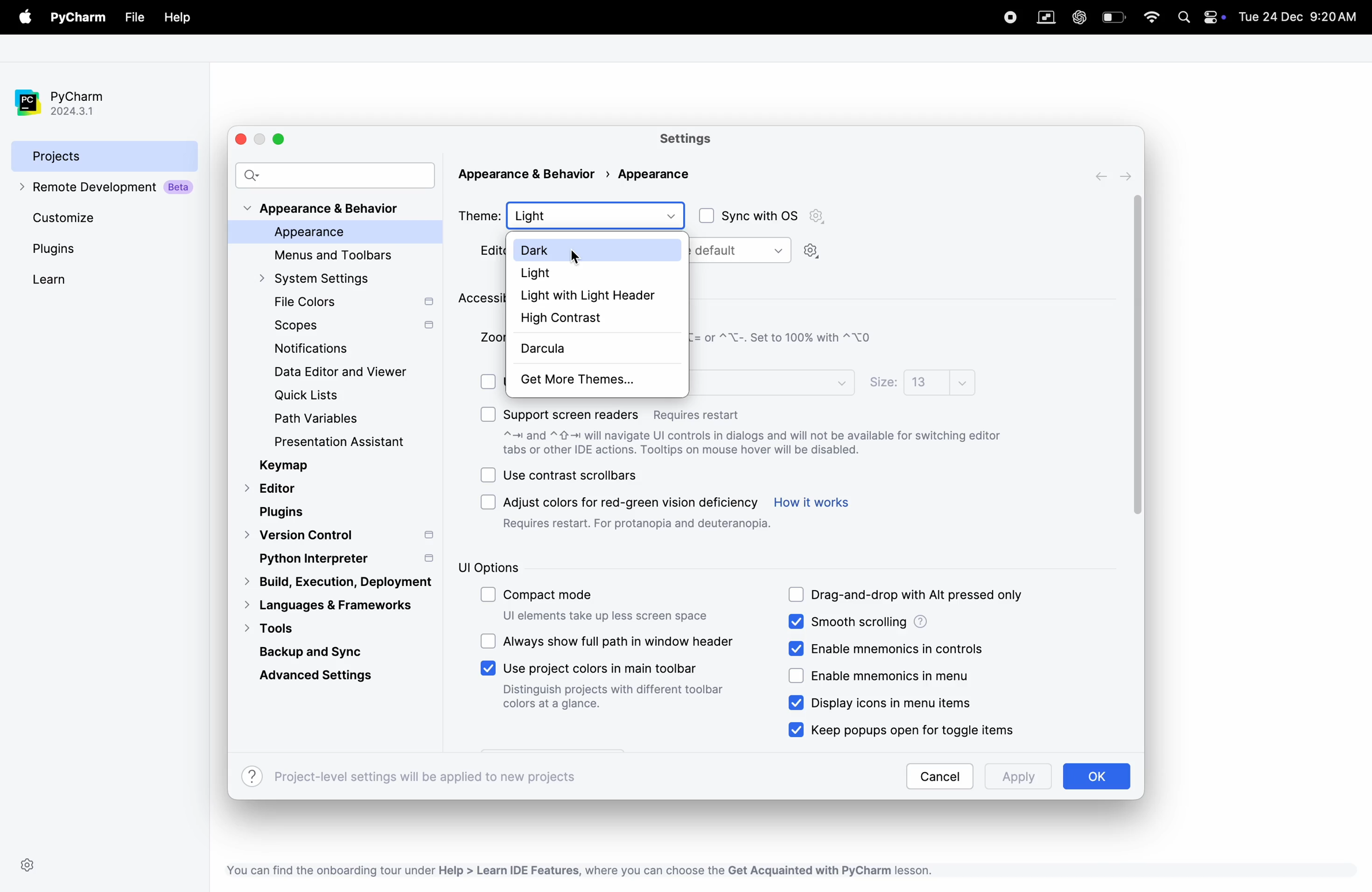 This screenshot has height=892, width=1372. What do you see at coordinates (576, 259) in the screenshot?
I see `cursor` at bounding box center [576, 259].